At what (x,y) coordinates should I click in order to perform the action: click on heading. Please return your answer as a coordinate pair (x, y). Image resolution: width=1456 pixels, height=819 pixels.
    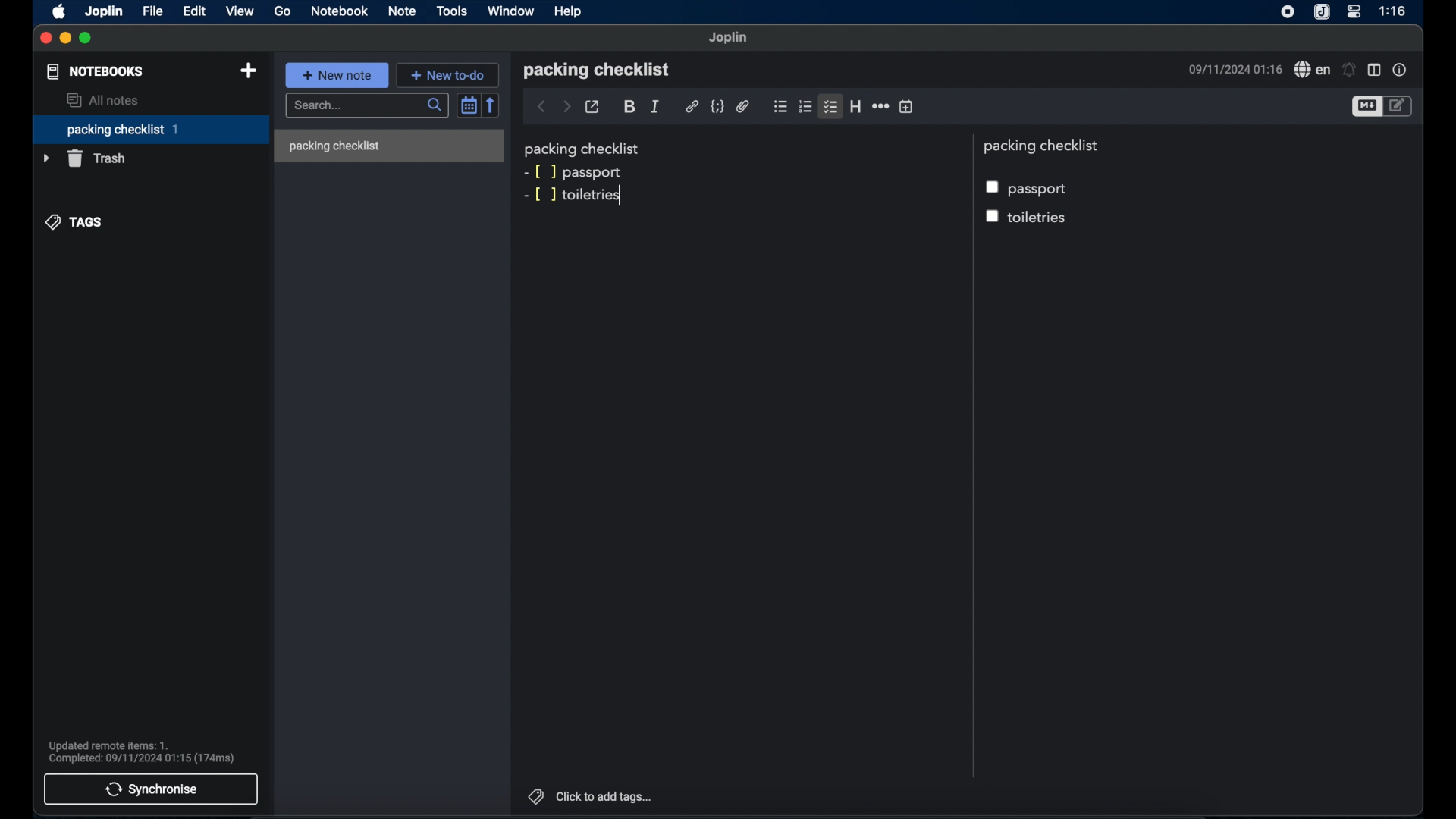
    Looking at the image, I should click on (855, 106).